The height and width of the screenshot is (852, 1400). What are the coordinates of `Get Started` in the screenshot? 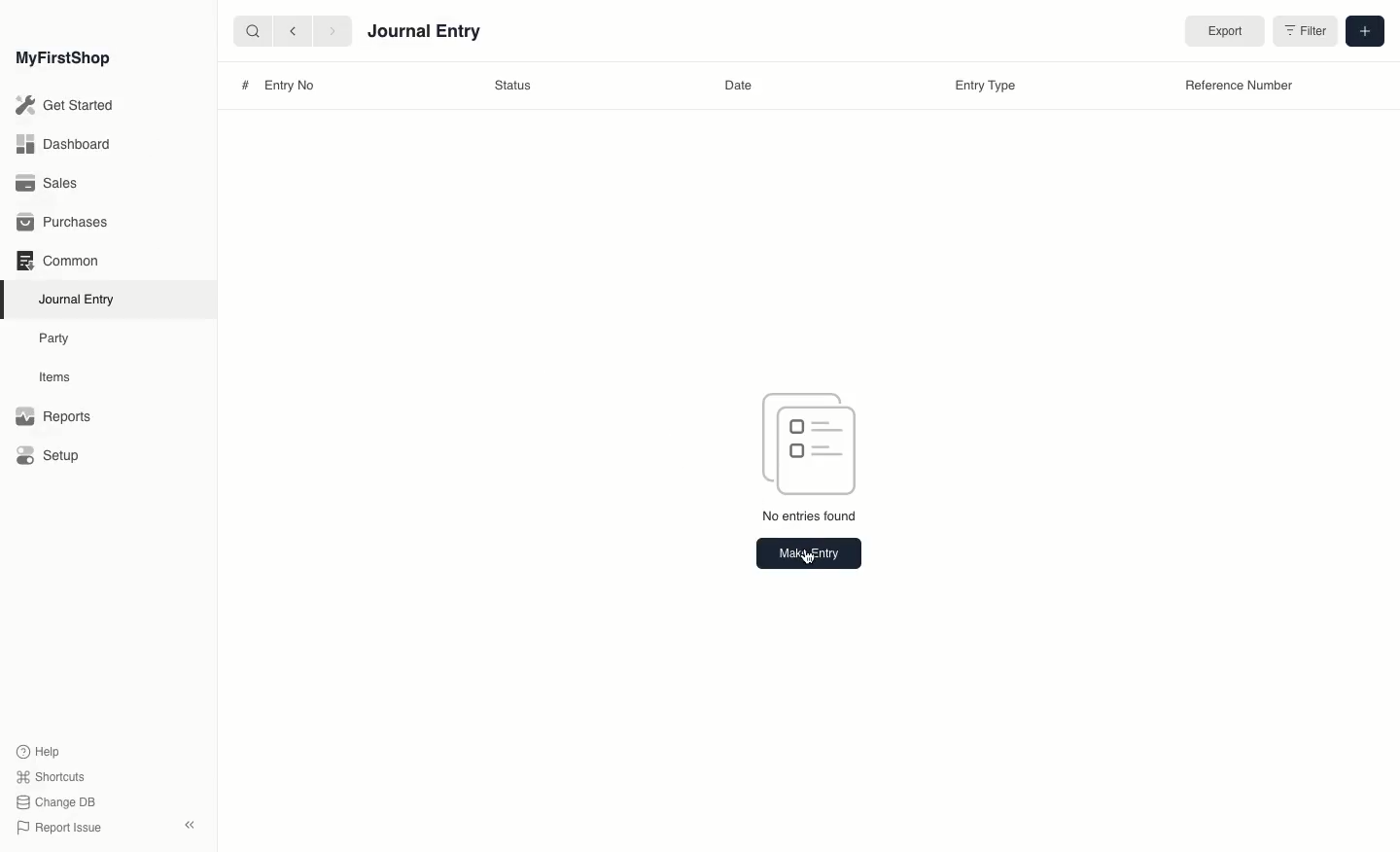 It's located at (66, 106).